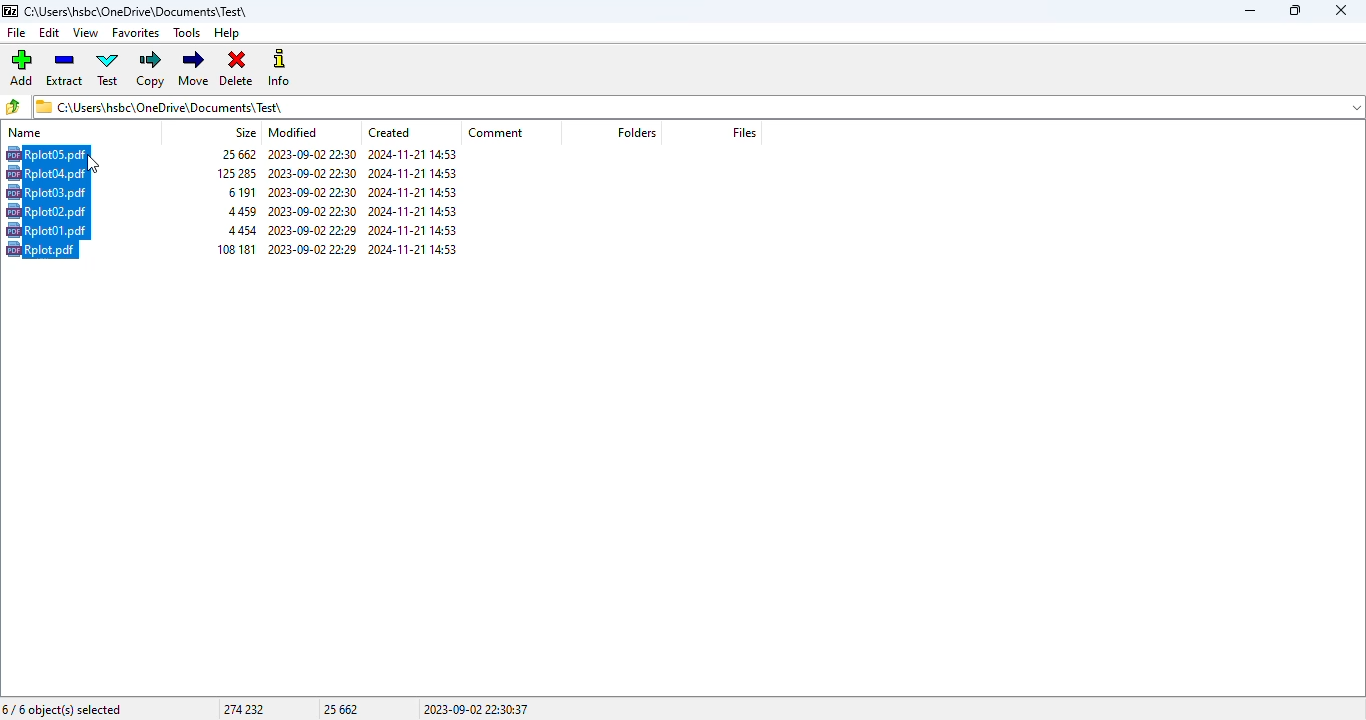  What do you see at coordinates (15, 33) in the screenshot?
I see `file` at bounding box center [15, 33].